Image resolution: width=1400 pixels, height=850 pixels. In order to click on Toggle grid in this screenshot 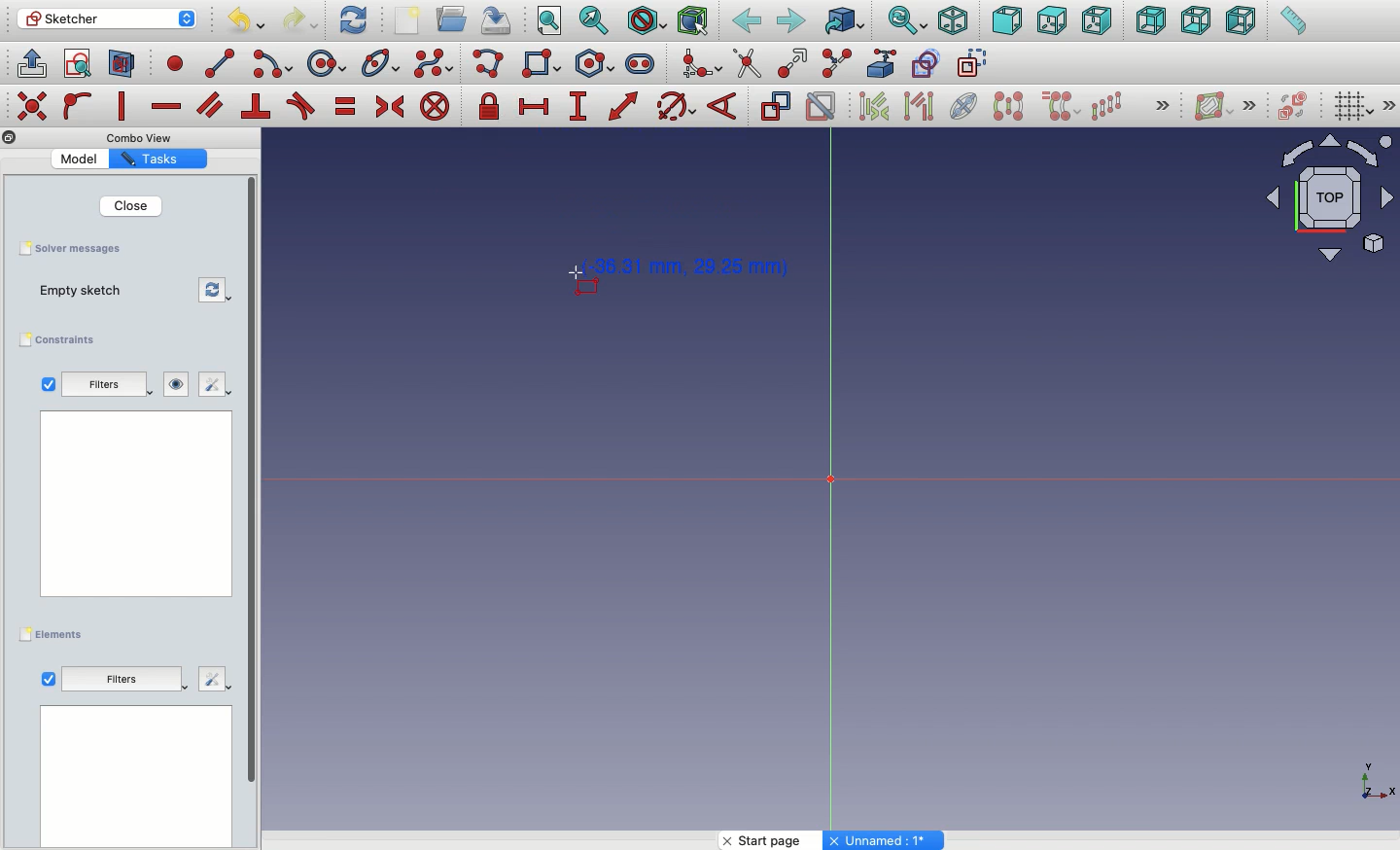, I will do `click(1351, 105)`.